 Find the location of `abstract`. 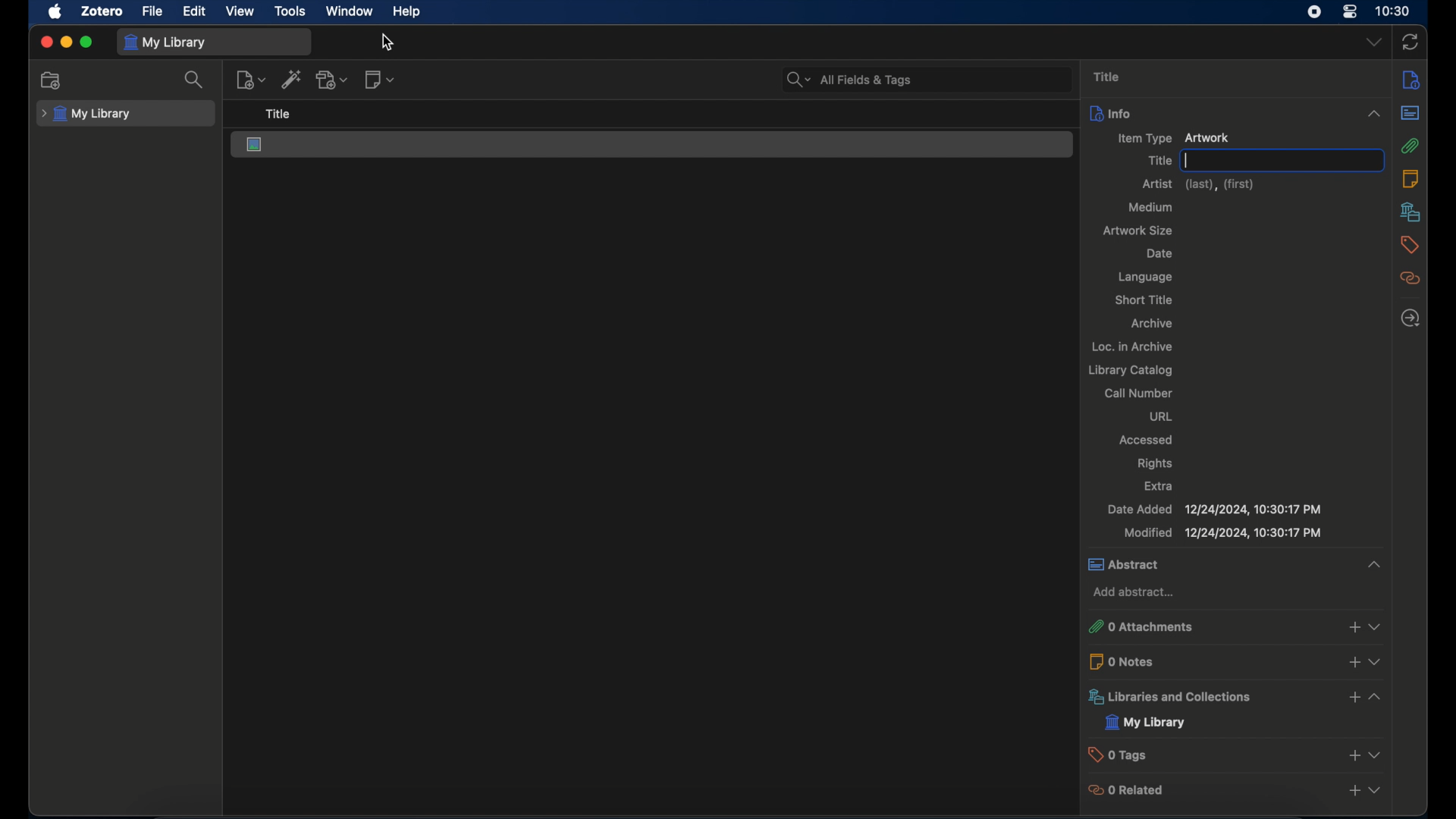

abstract is located at coordinates (1146, 566).